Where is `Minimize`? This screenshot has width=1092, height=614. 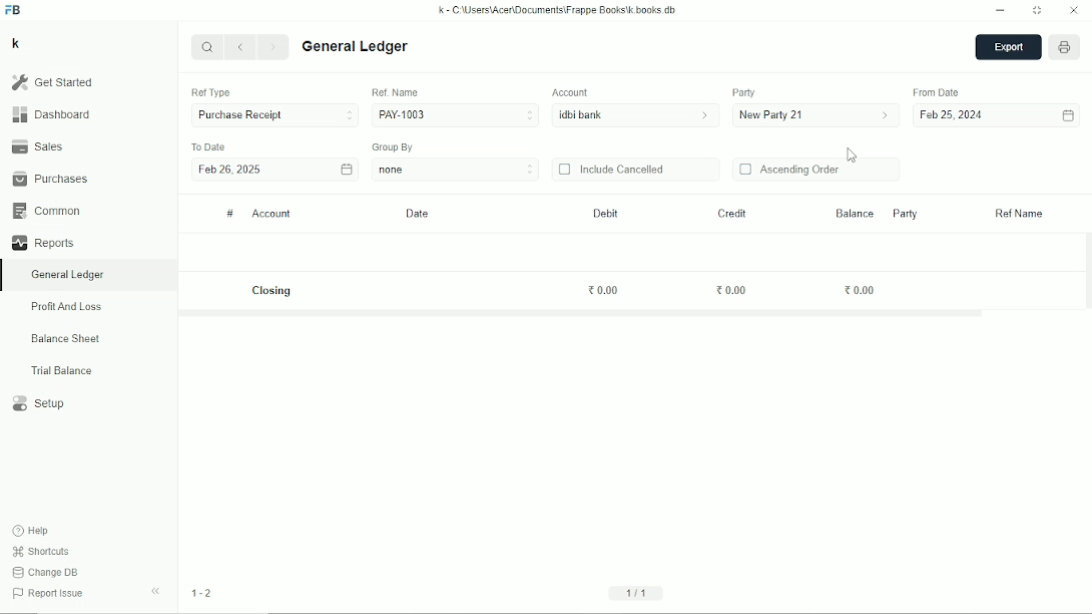
Minimize is located at coordinates (1001, 11).